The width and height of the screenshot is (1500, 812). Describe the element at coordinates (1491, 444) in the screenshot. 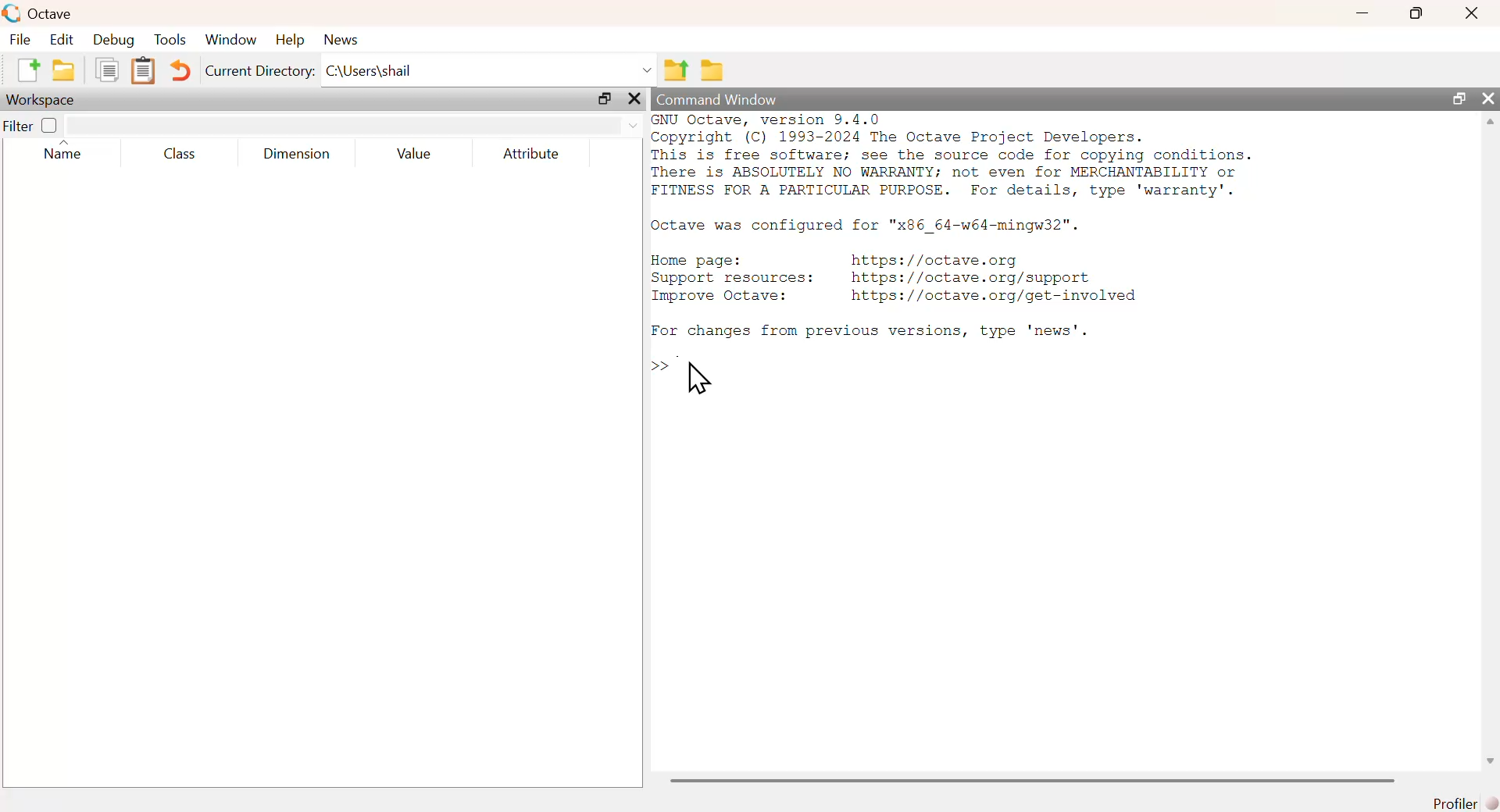

I see `scrollbar` at that location.